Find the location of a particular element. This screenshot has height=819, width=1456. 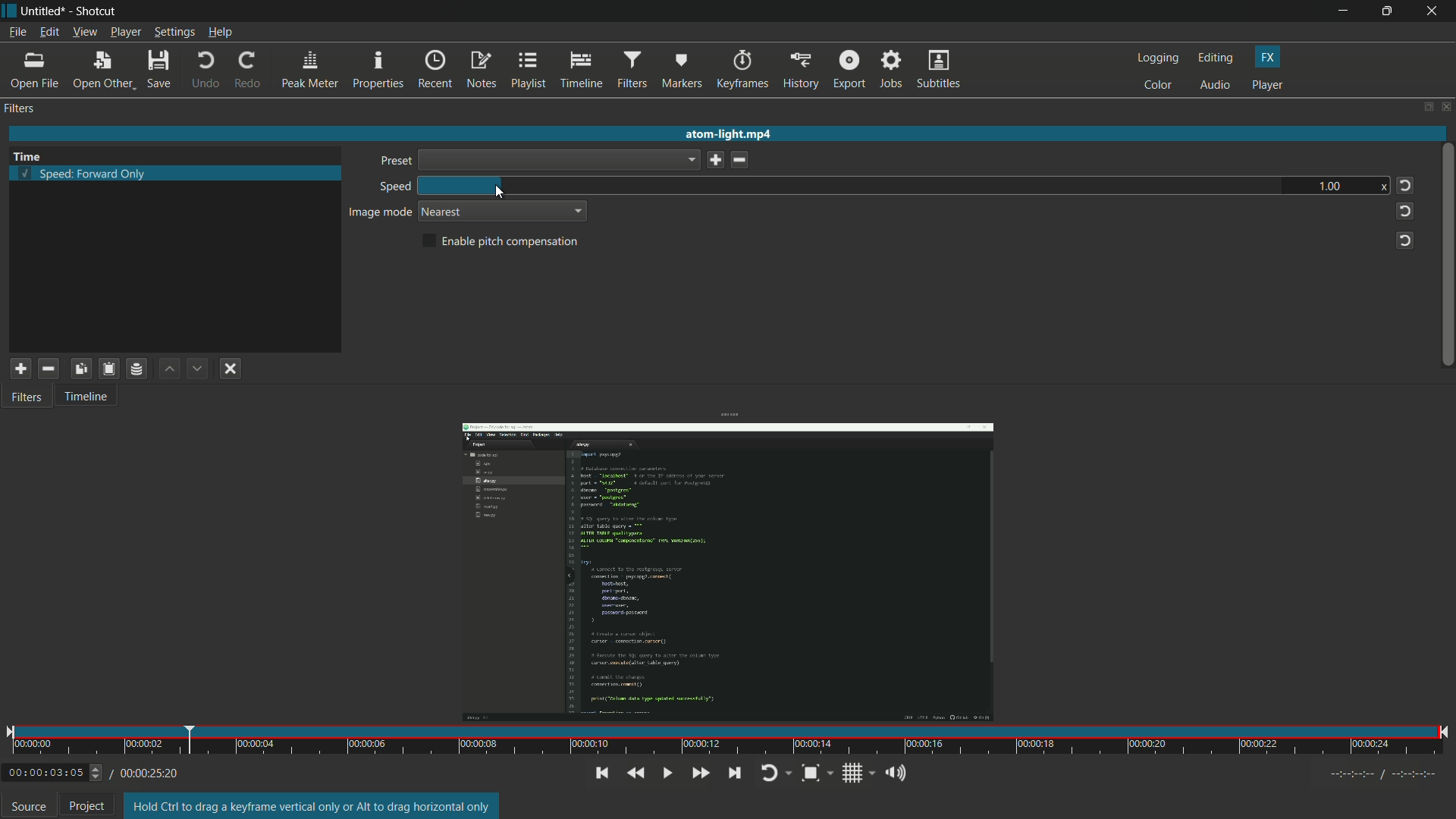

move filter up is located at coordinates (167, 368).